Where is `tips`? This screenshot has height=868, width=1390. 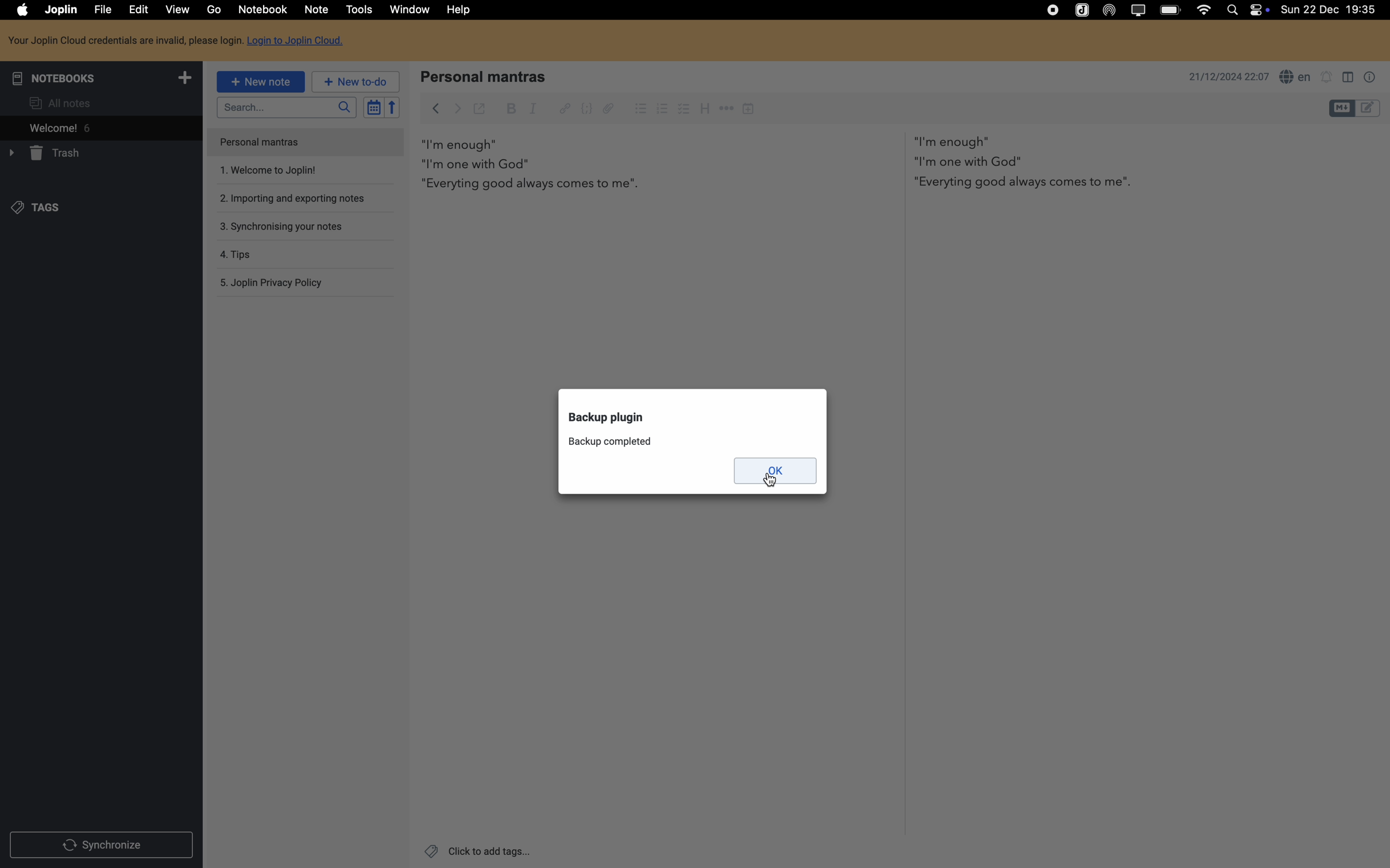 tips is located at coordinates (236, 256).